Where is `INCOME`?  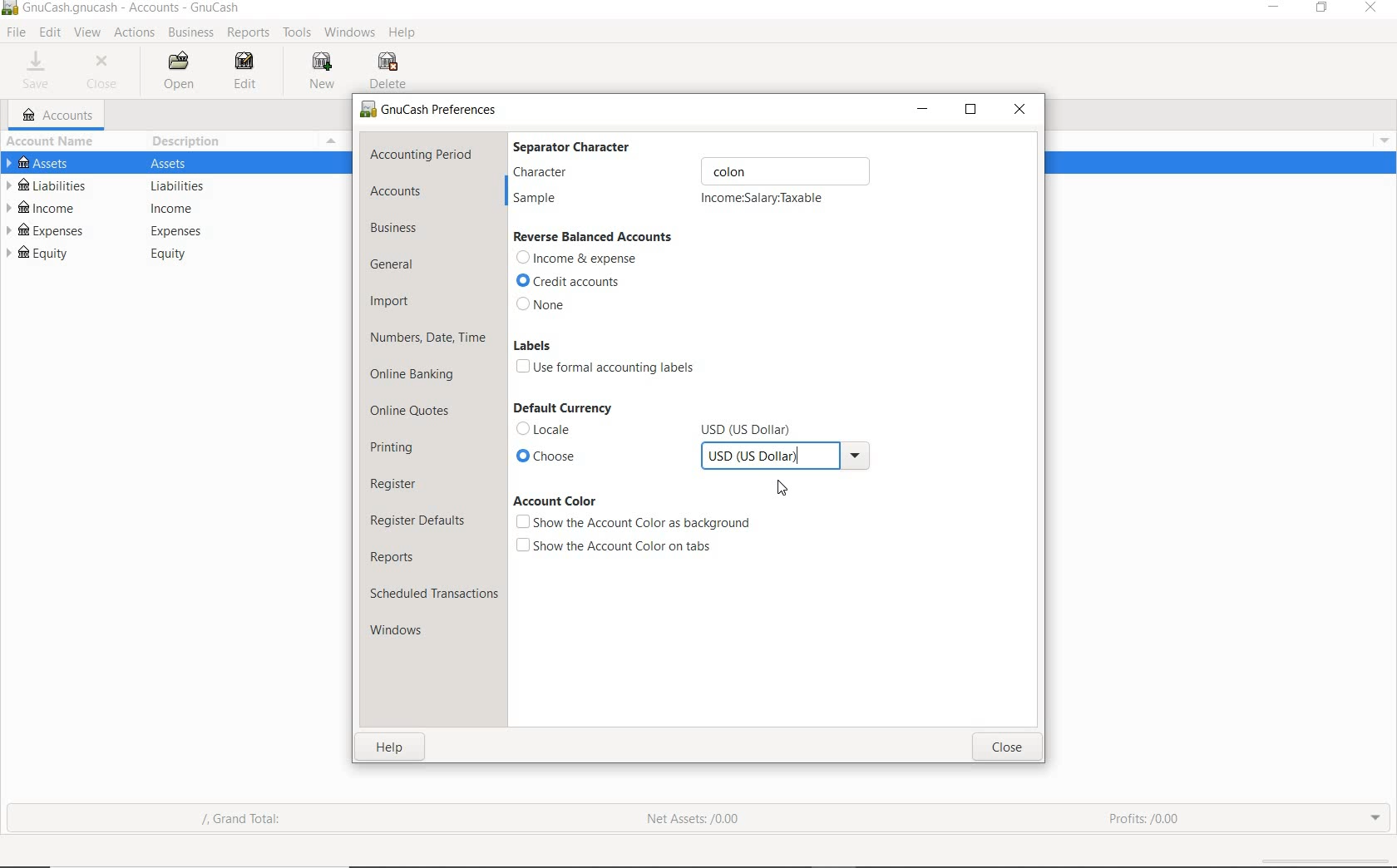
INCOME is located at coordinates (62, 208).